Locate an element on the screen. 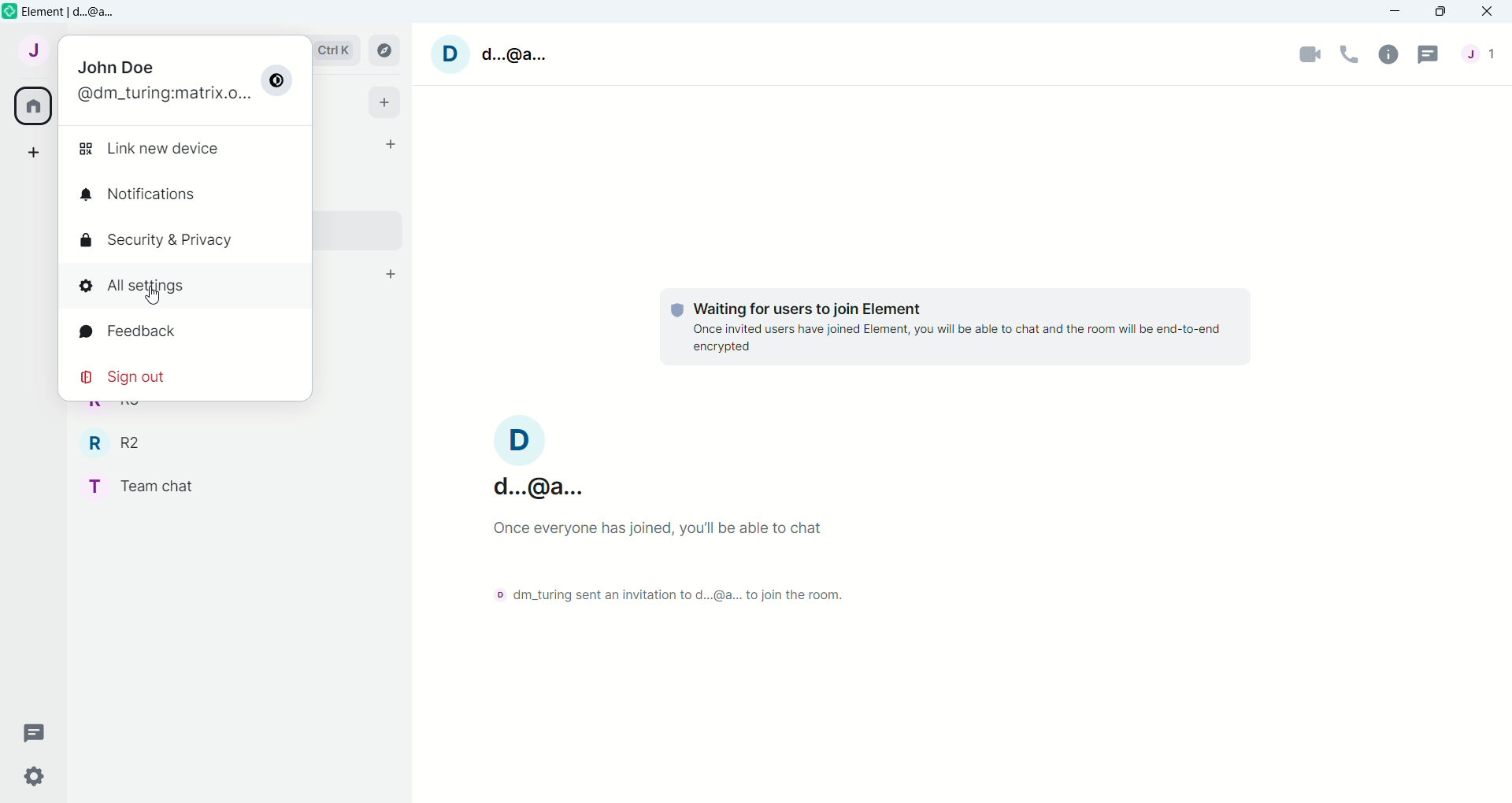  John Doe is located at coordinates (117, 63).